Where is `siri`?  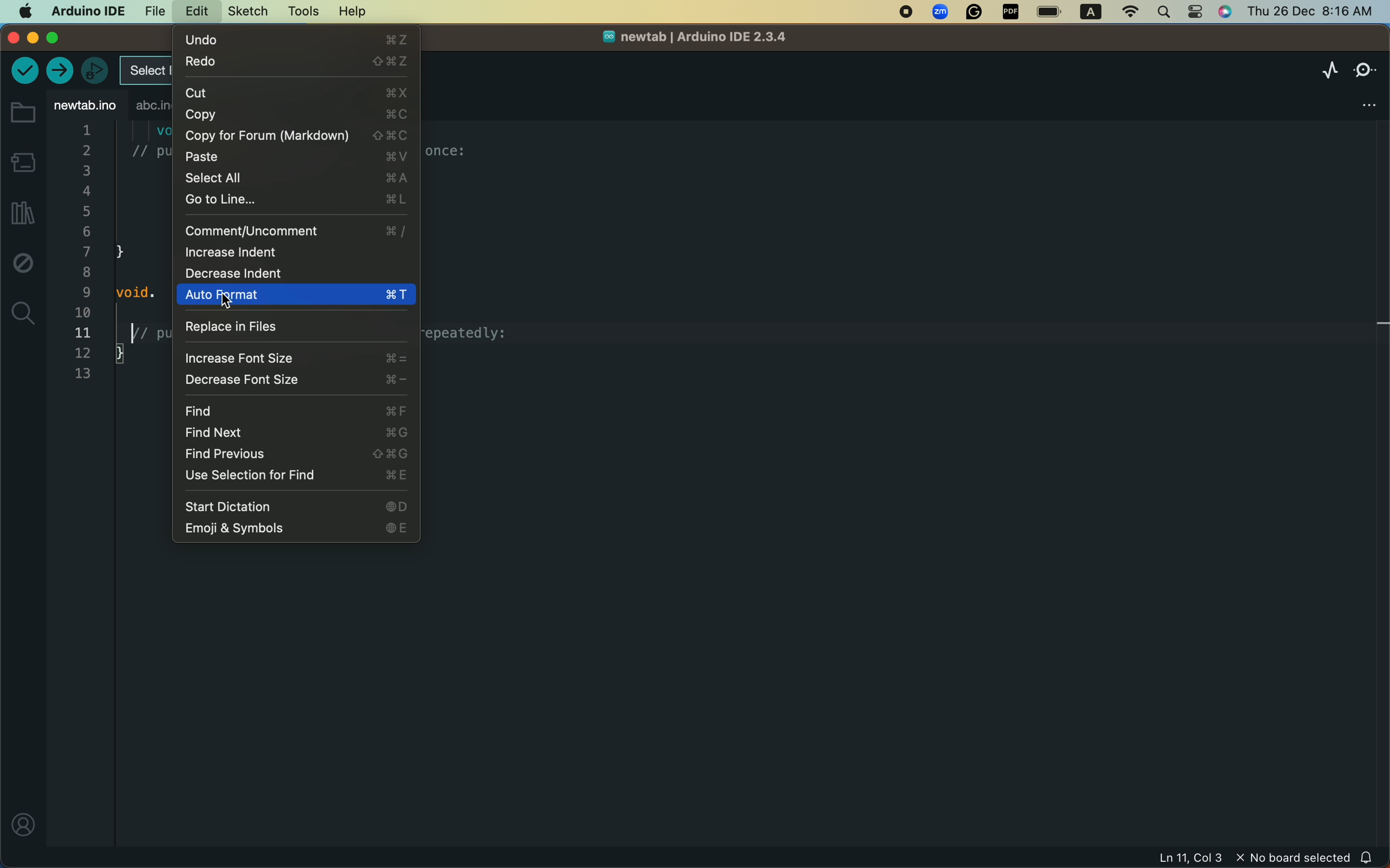
siri is located at coordinates (1228, 13).